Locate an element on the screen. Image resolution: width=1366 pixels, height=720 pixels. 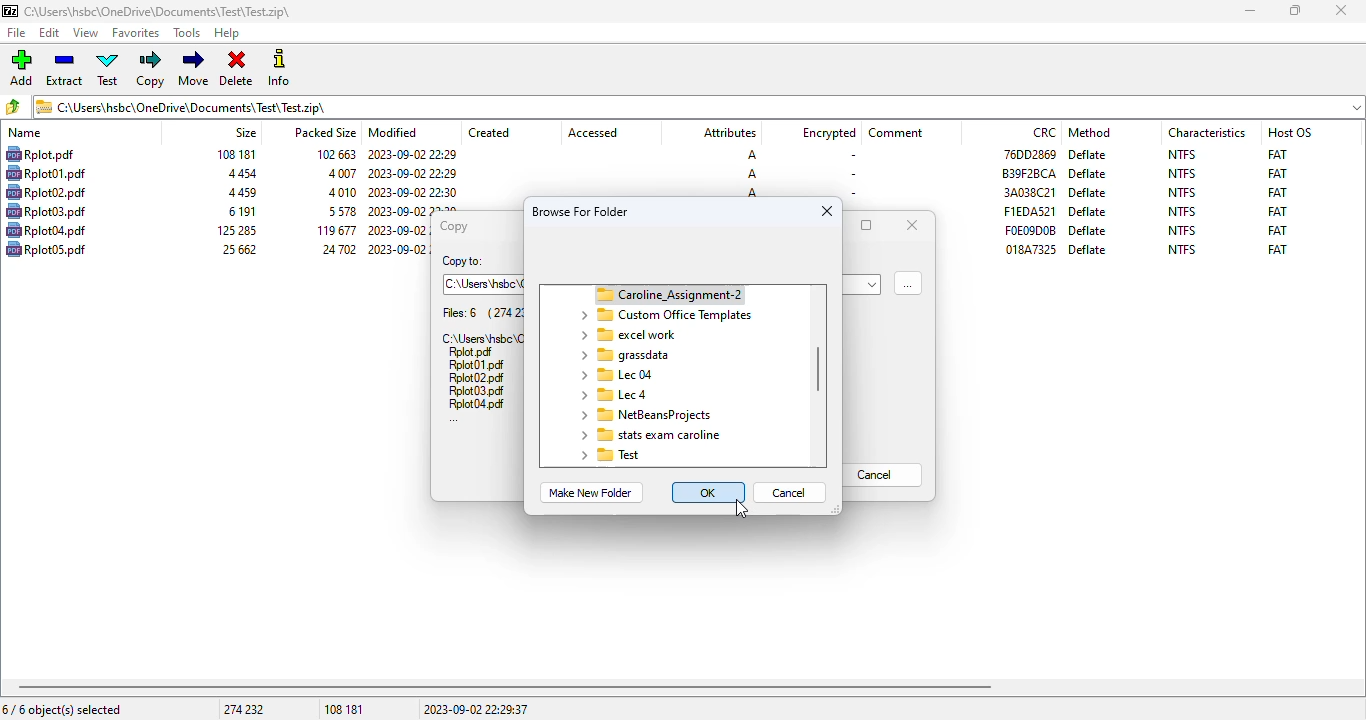
file is located at coordinates (39, 154).